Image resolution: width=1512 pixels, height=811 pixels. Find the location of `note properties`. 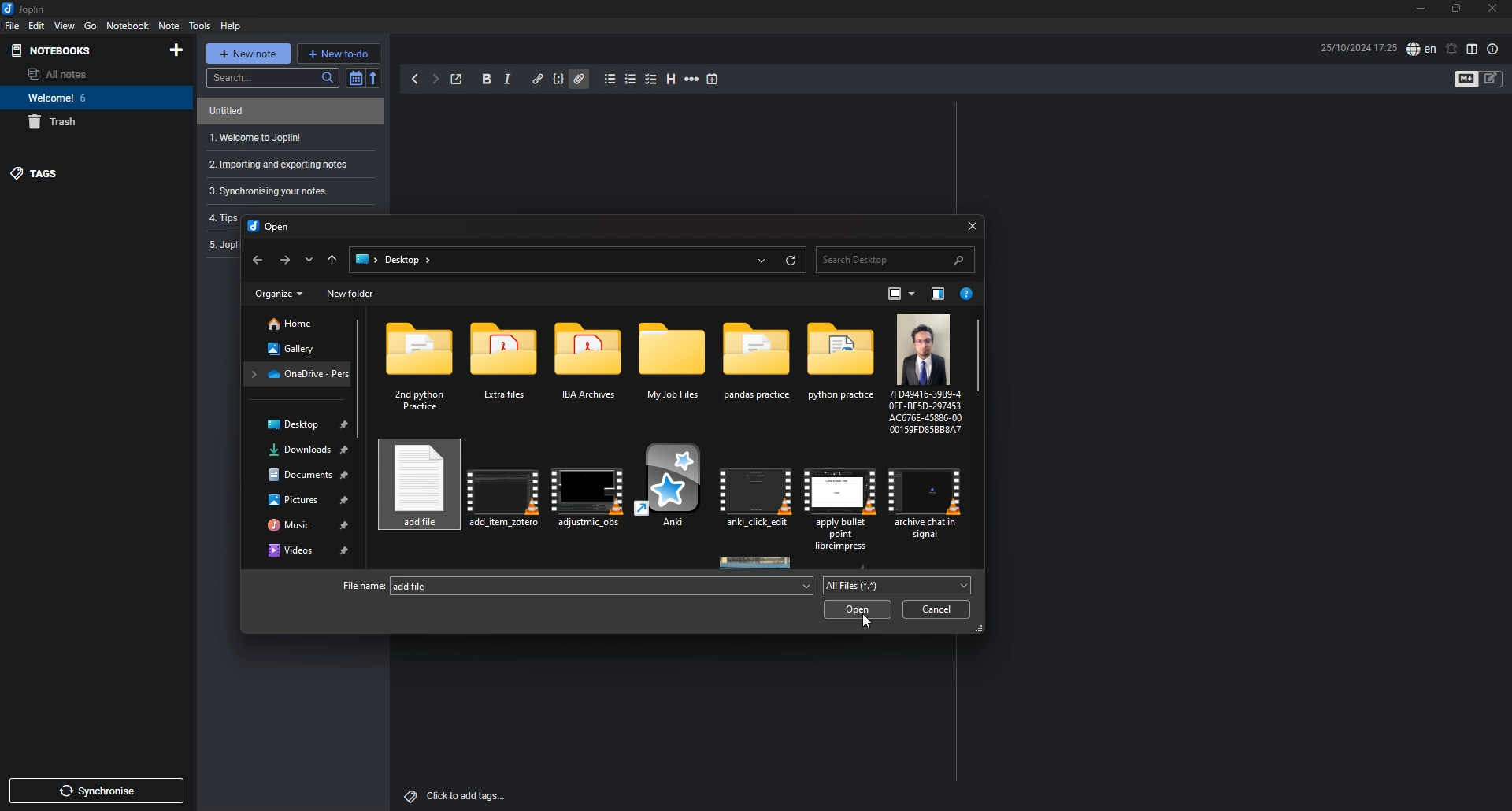

note properties is located at coordinates (1492, 50).